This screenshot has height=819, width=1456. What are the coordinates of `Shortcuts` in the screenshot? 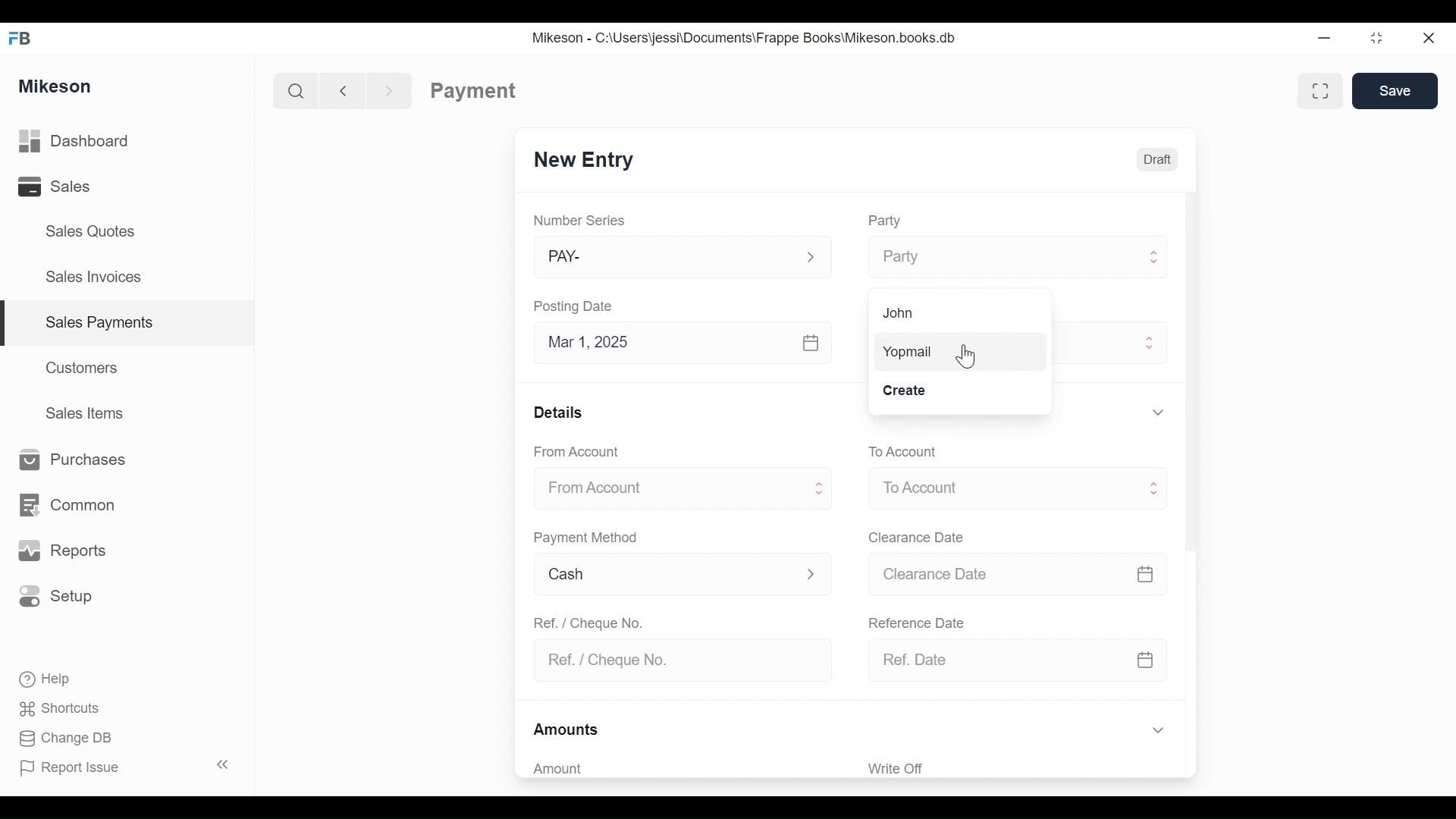 It's located at (66, 704).